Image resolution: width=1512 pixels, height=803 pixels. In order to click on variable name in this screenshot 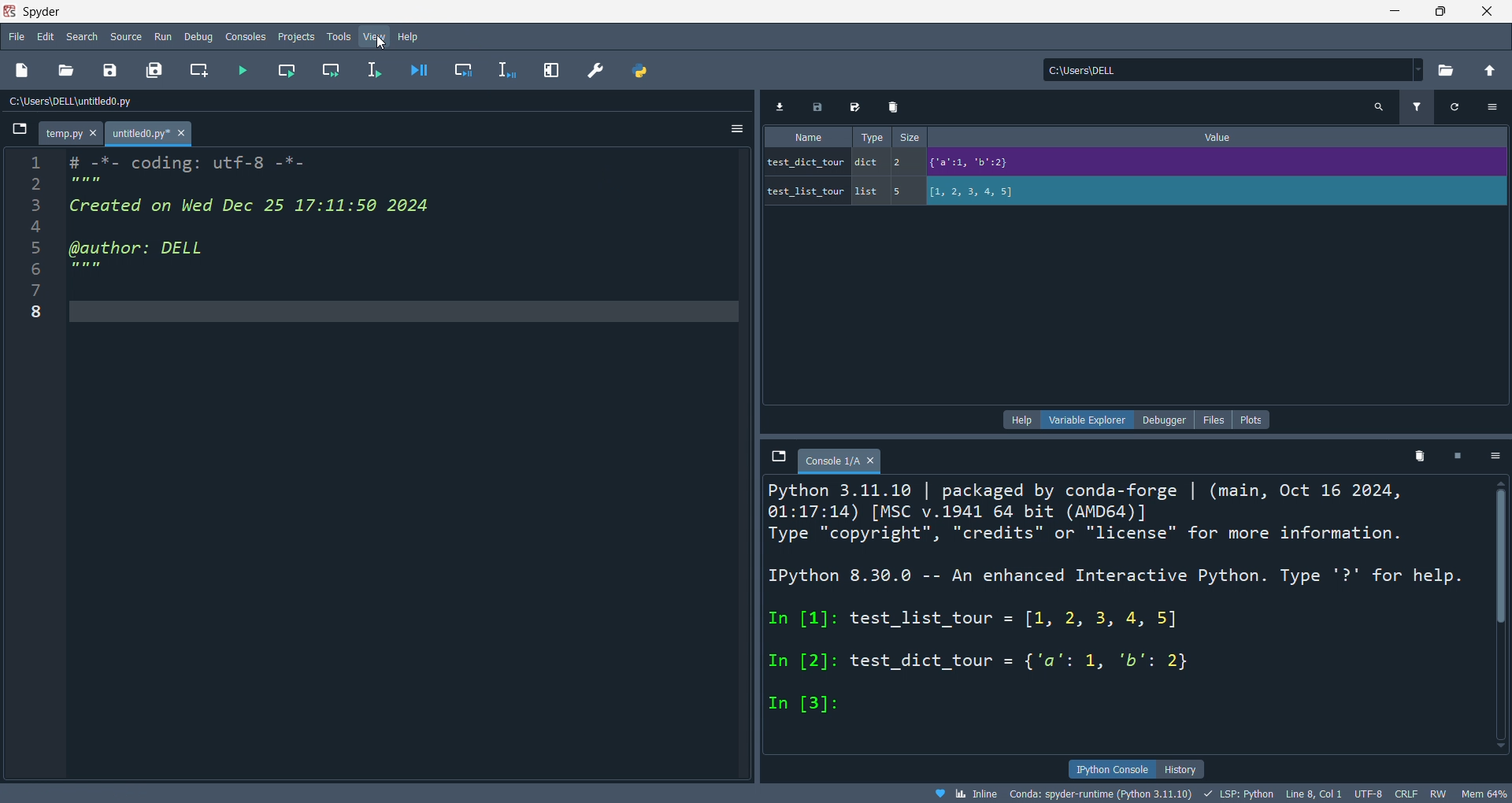, I will do `click(805, 189)`.